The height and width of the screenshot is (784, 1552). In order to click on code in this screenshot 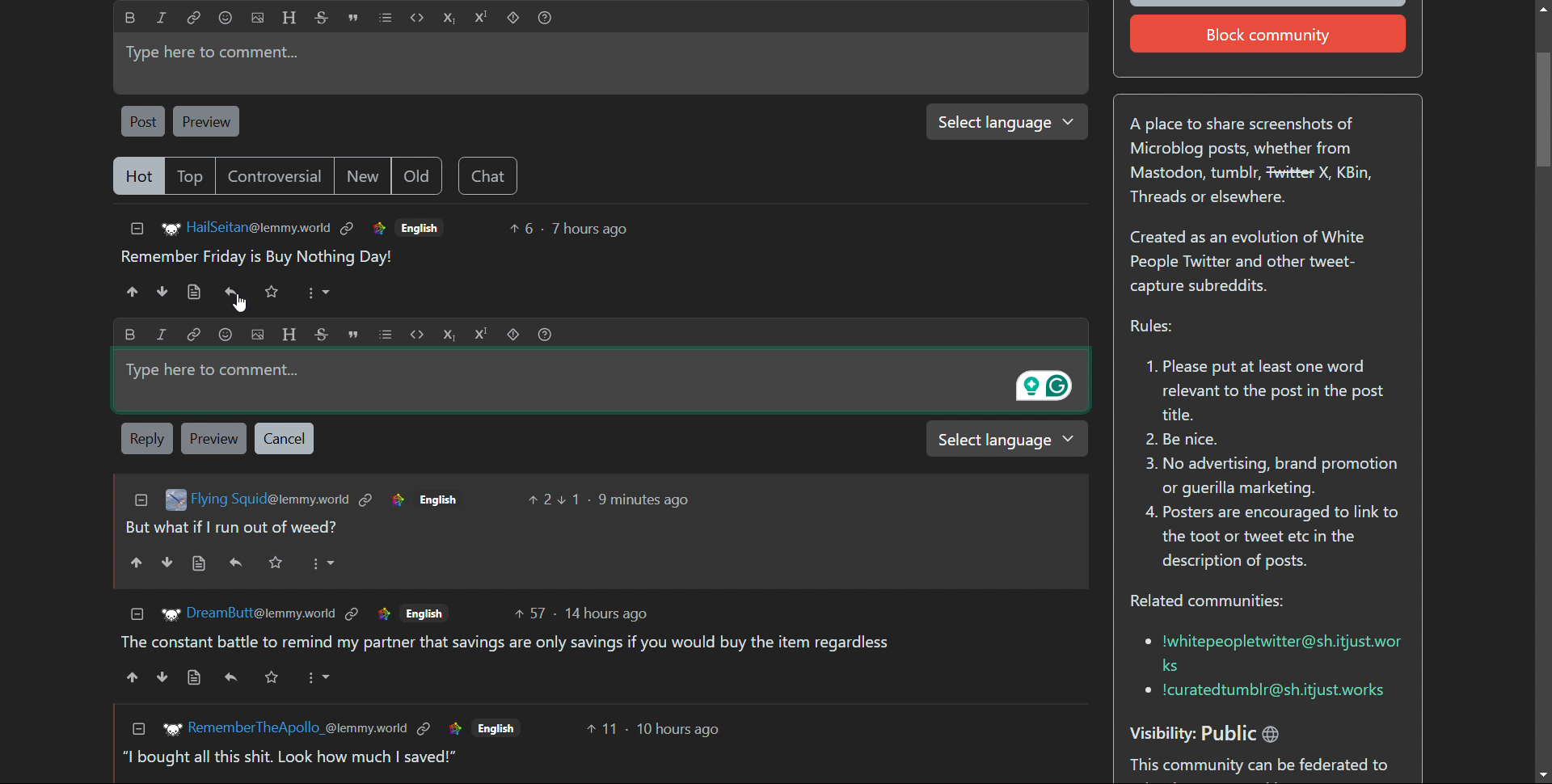, I will do `click(413, 331)`.